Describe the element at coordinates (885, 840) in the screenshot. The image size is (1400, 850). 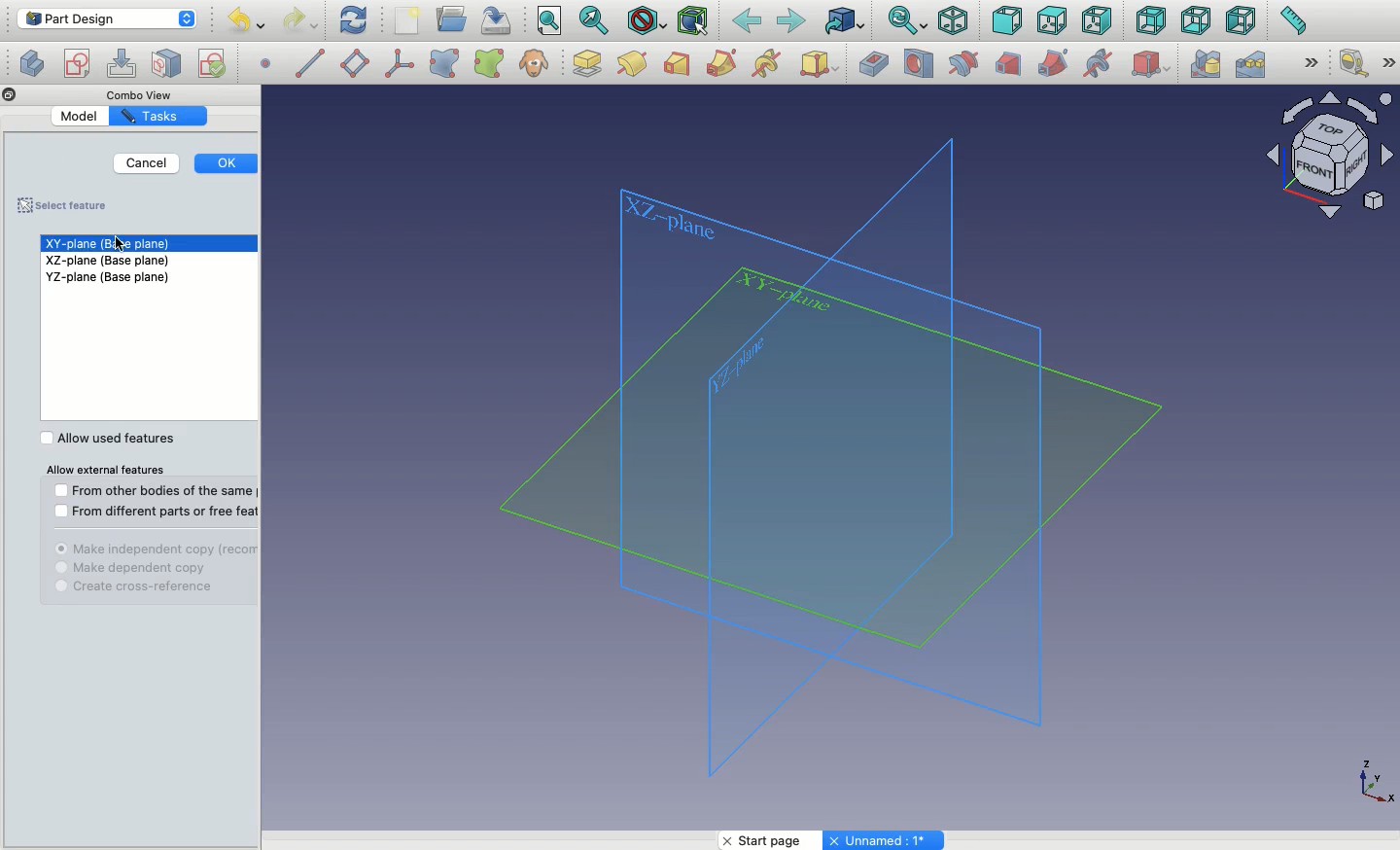
I see `Unnamed: 1` at that location.